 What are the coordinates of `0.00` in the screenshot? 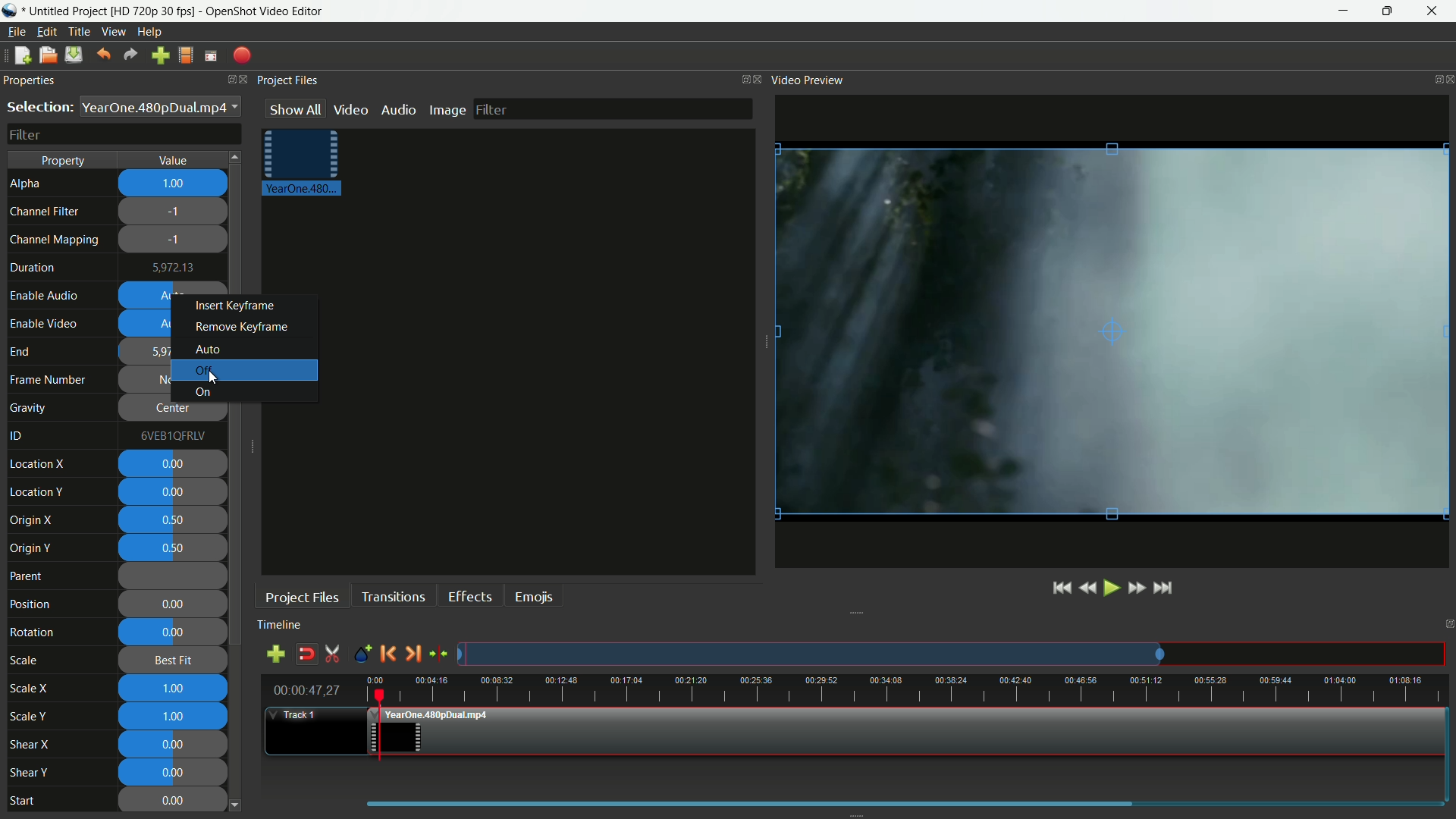 It's located at (177, 744).